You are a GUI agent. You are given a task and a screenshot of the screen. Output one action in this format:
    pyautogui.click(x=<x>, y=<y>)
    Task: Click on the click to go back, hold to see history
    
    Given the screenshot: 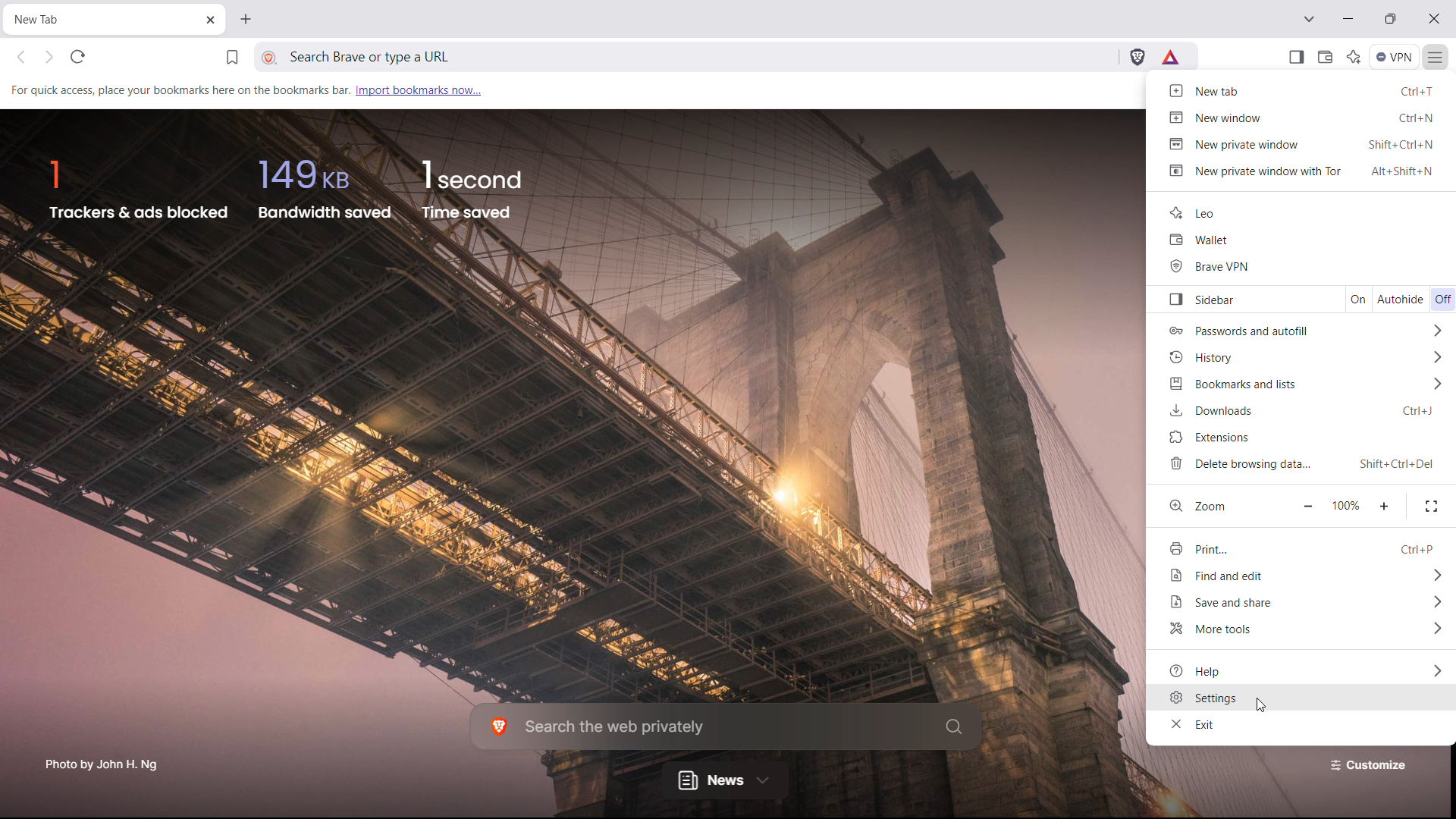 What is the action you would take?
    pyautogui.click(x=21, y=56)
    